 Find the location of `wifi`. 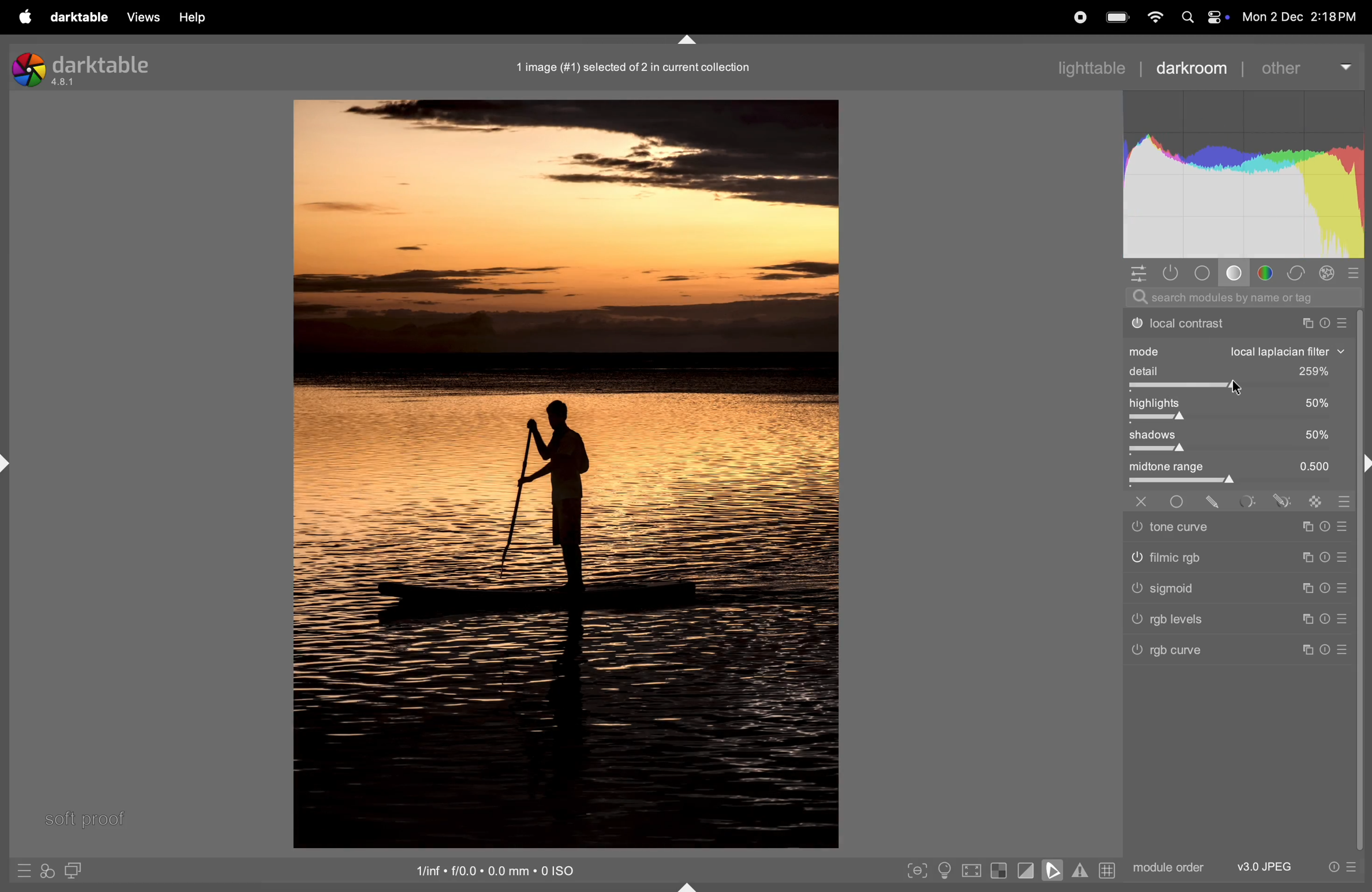

wifi is located at coordinates (1153, 17).